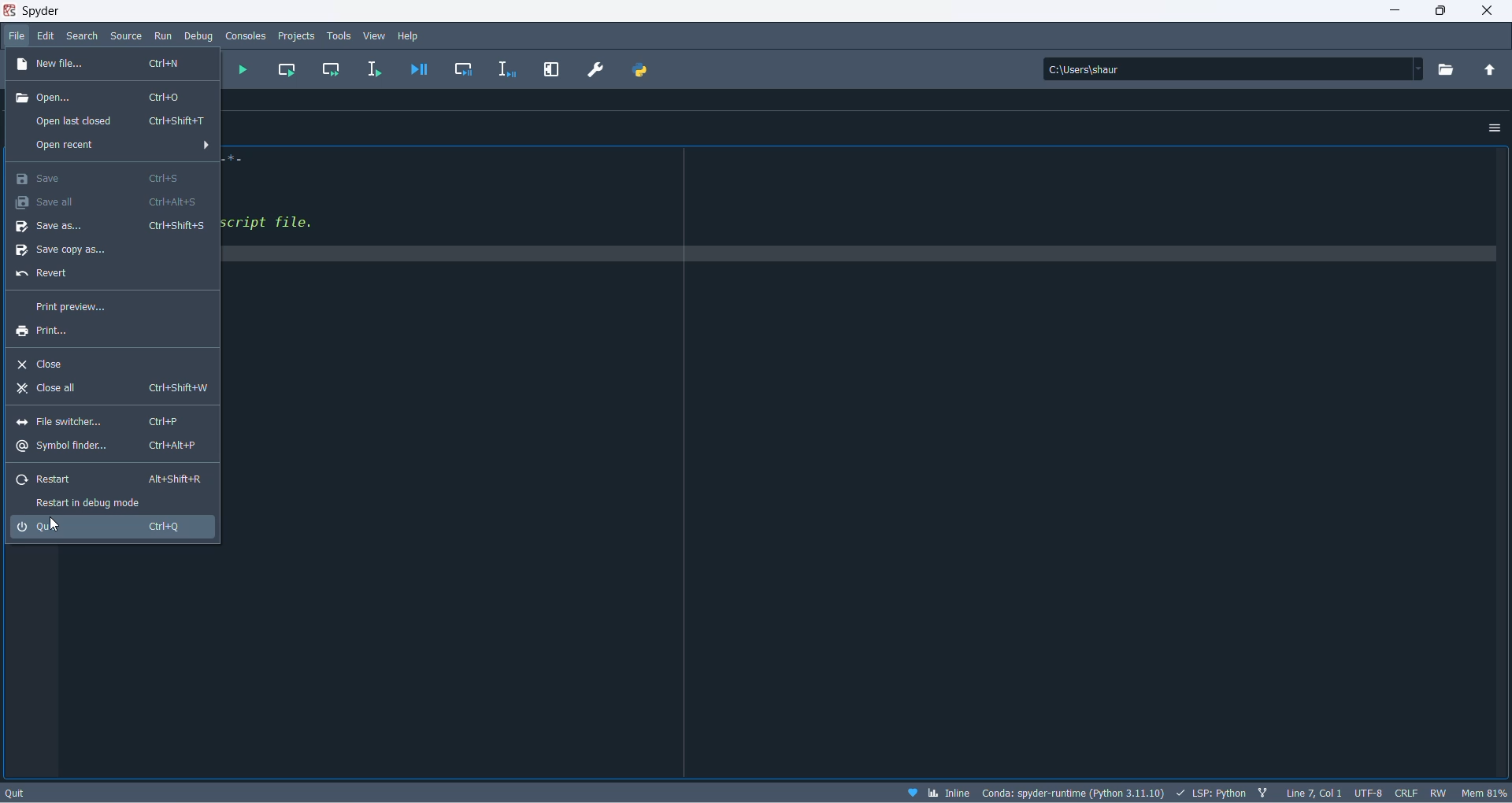  Describe the element at coordinates (374, 35) in the screenshot. I see `view` at that location.